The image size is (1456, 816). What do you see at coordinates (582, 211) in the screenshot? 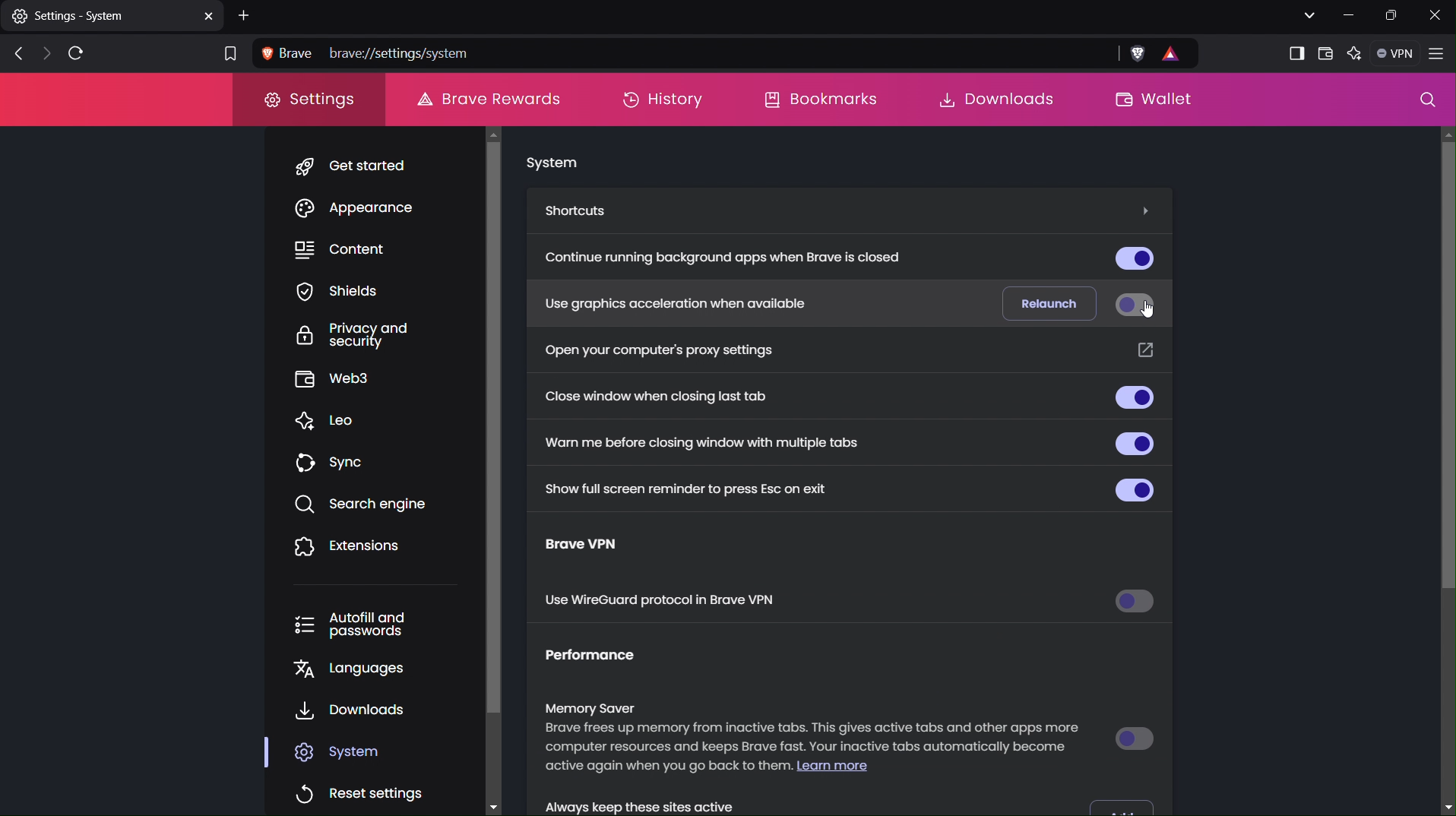
I see `Shortcuts` at bounding box center [582, 211].